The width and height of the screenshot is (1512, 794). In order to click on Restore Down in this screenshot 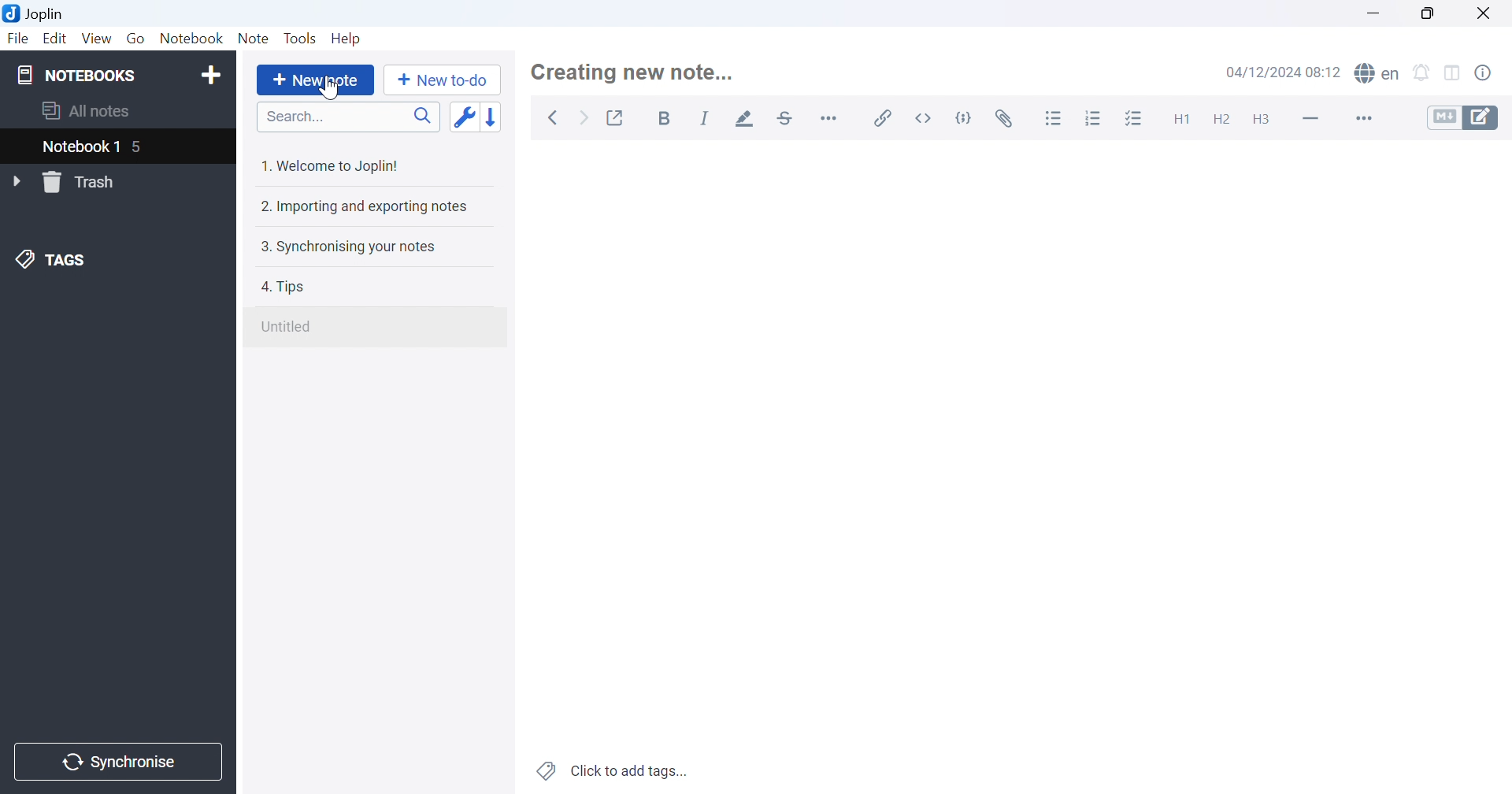, I will do `click(1435, 12)`.